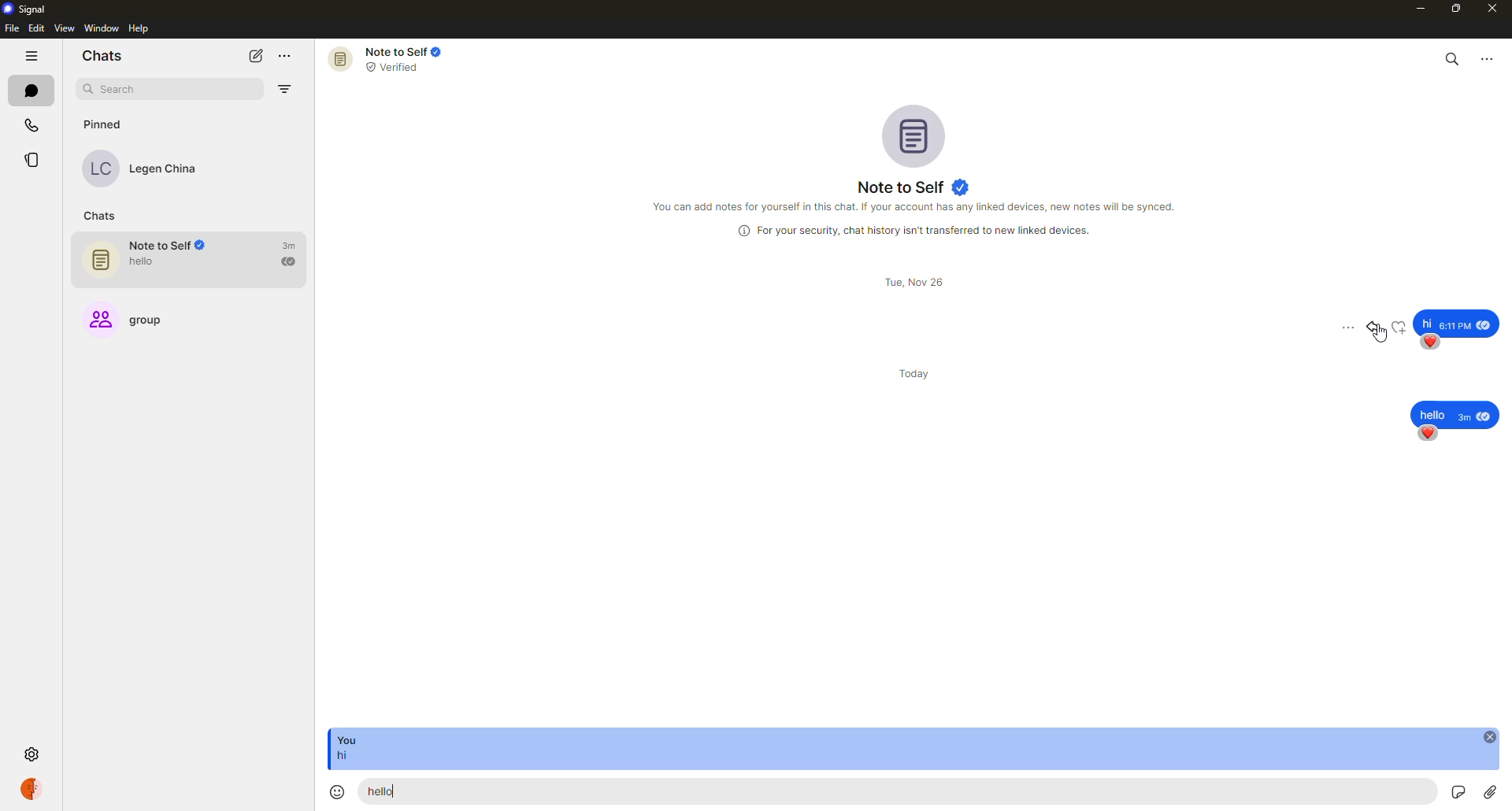 The image size is (1512, 811). I want to click on chats, so click(104, 55).